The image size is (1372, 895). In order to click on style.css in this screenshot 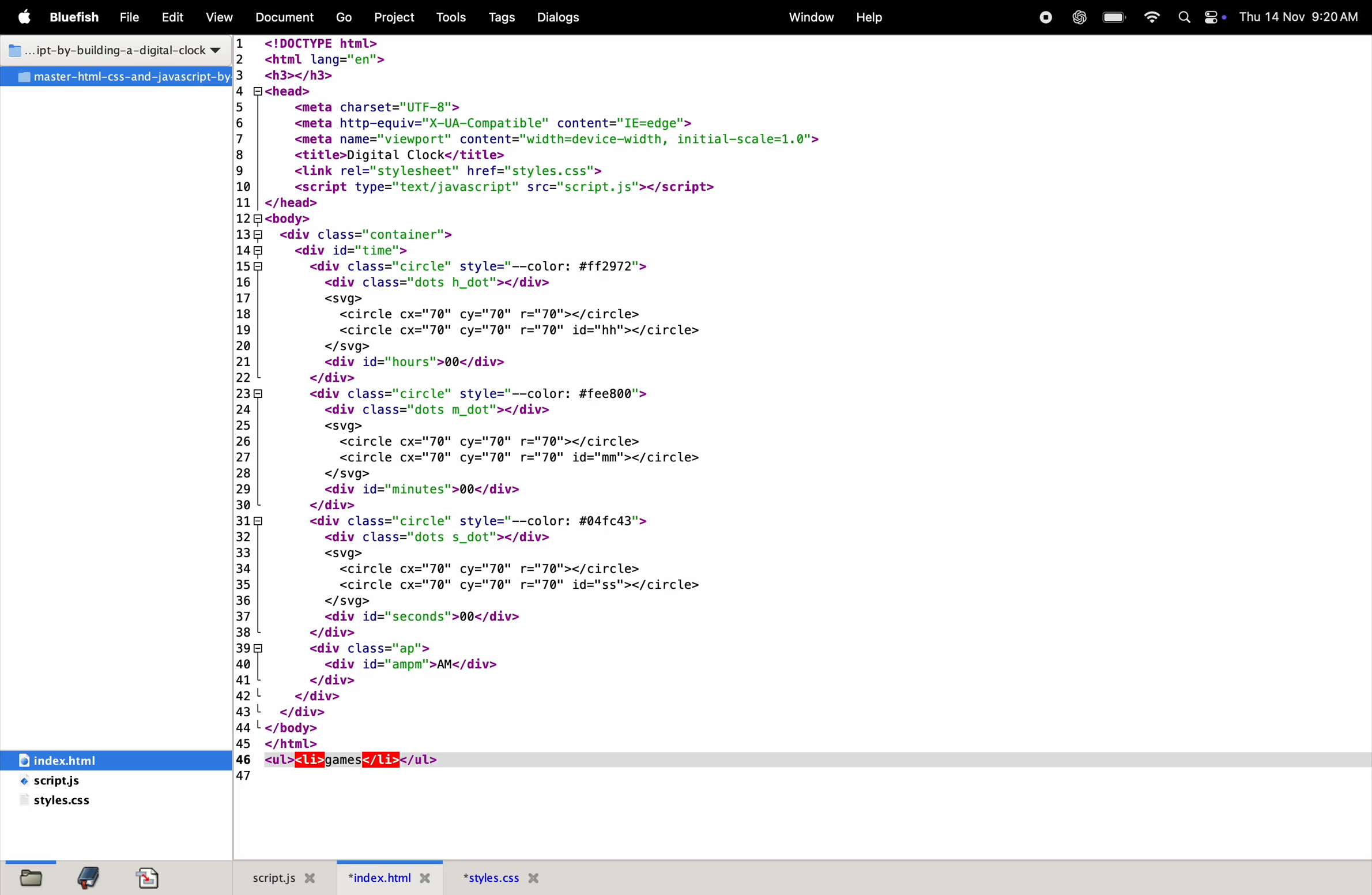, I will do `click(61, 803)`.